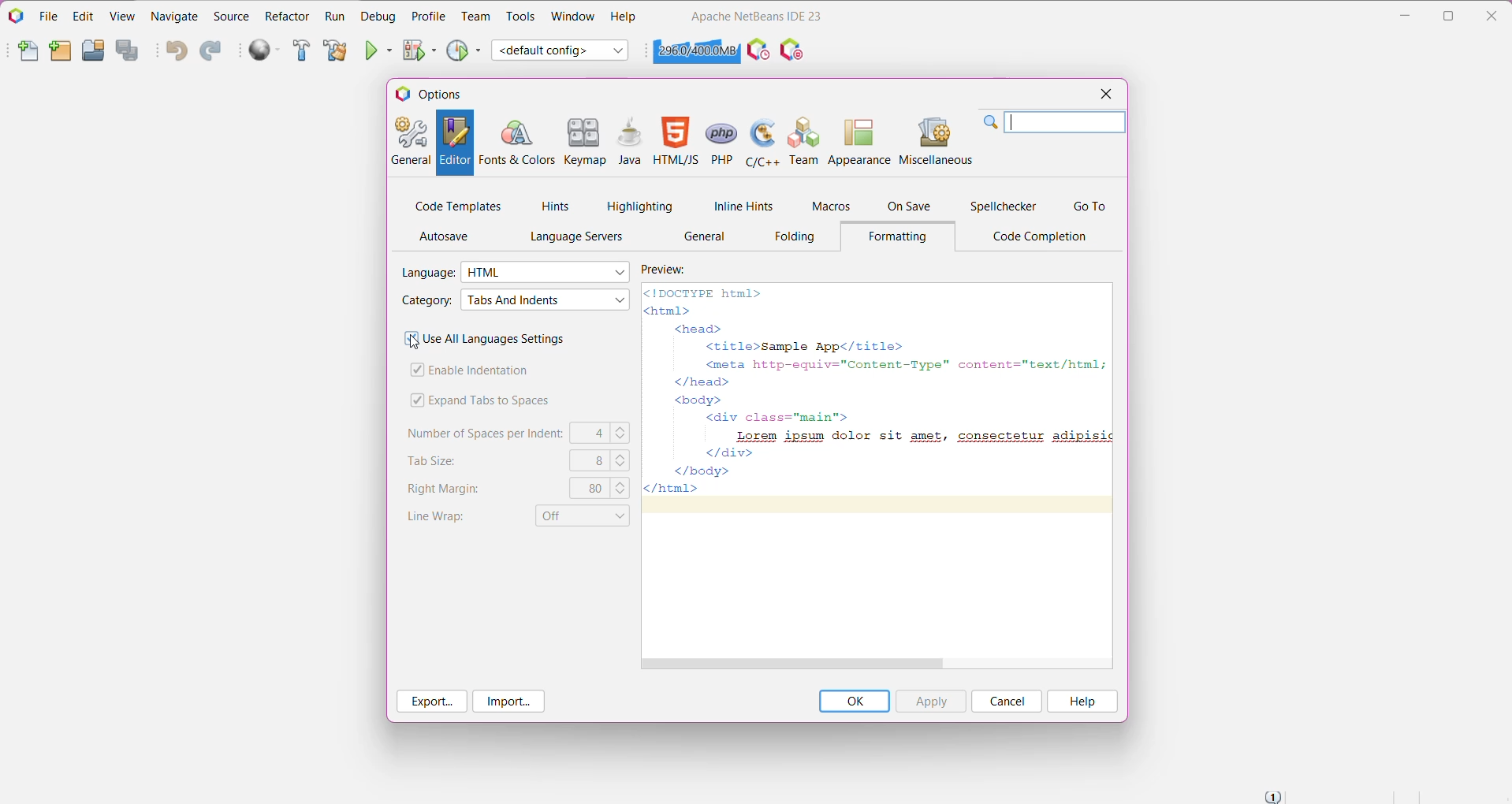  What do you see at coordinates (900, 364) in the screenshot?
I see `<meta http-equiv="Content-Type" content="text/html; |` at bounding box center [900, 364].